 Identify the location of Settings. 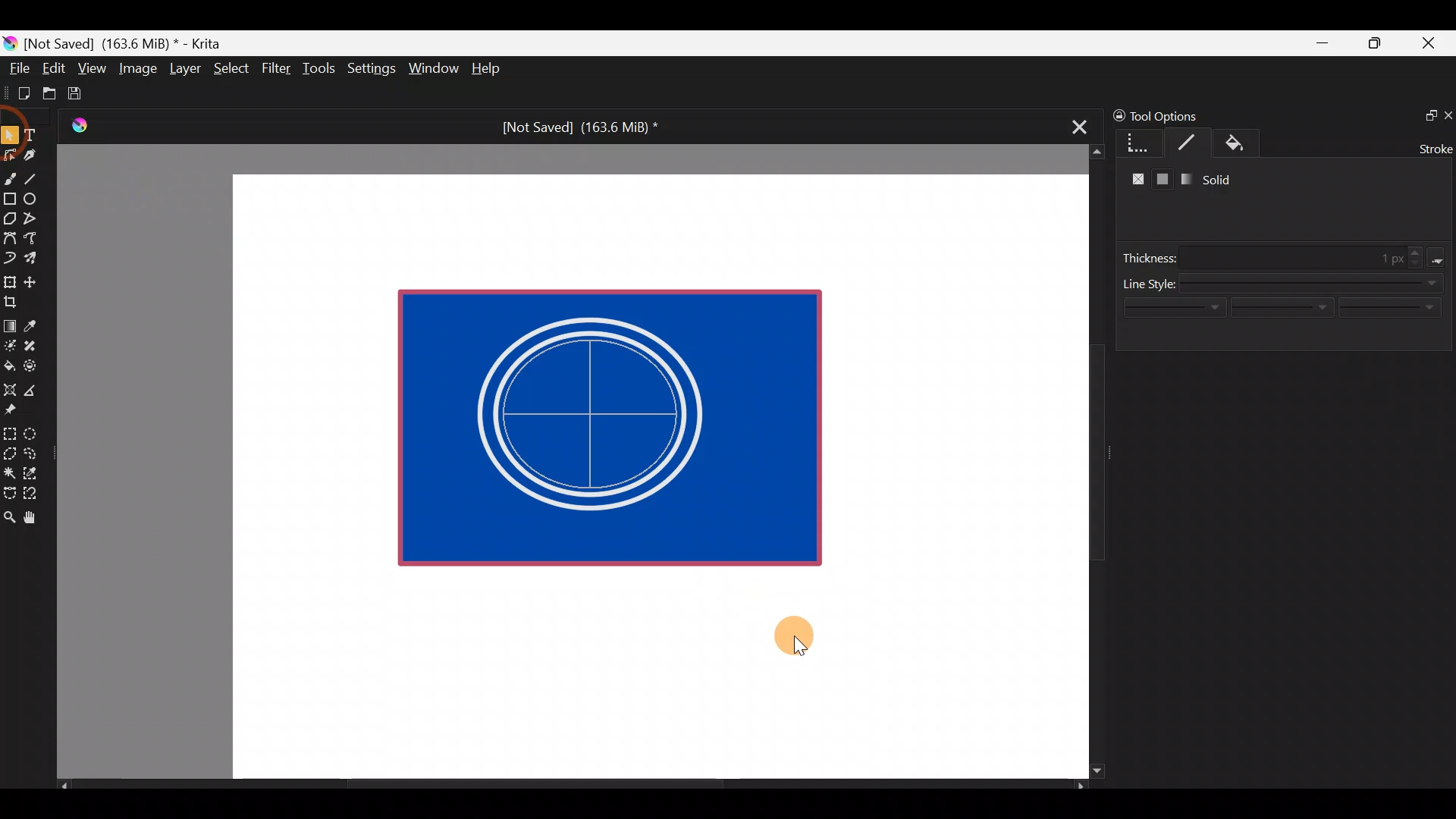
(373, 71).